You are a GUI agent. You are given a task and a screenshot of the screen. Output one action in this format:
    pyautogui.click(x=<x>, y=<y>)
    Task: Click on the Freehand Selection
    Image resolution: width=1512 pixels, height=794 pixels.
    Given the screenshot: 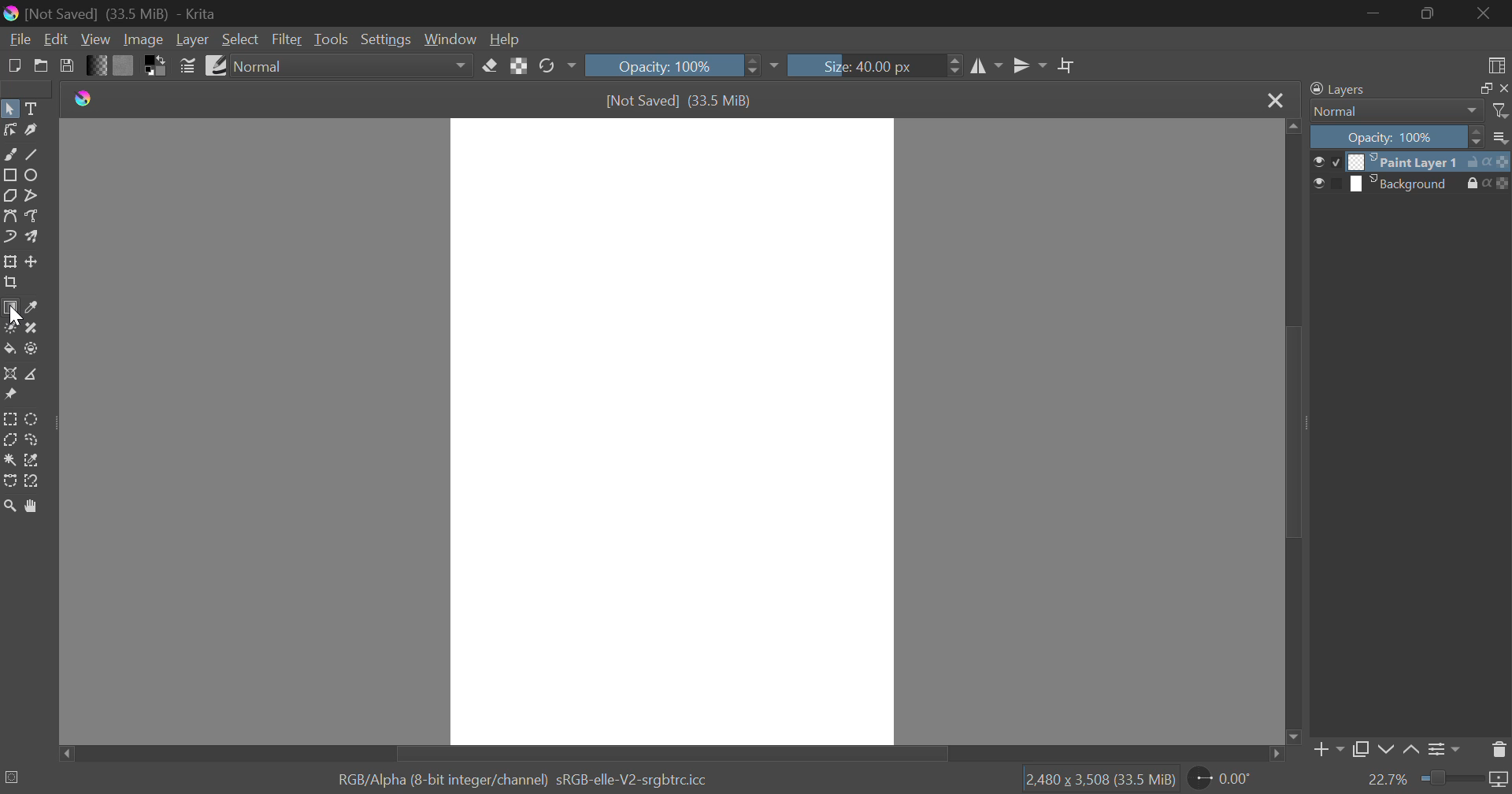 What is the action you would take?
    pyautogui.click(x=32, y=440)
    